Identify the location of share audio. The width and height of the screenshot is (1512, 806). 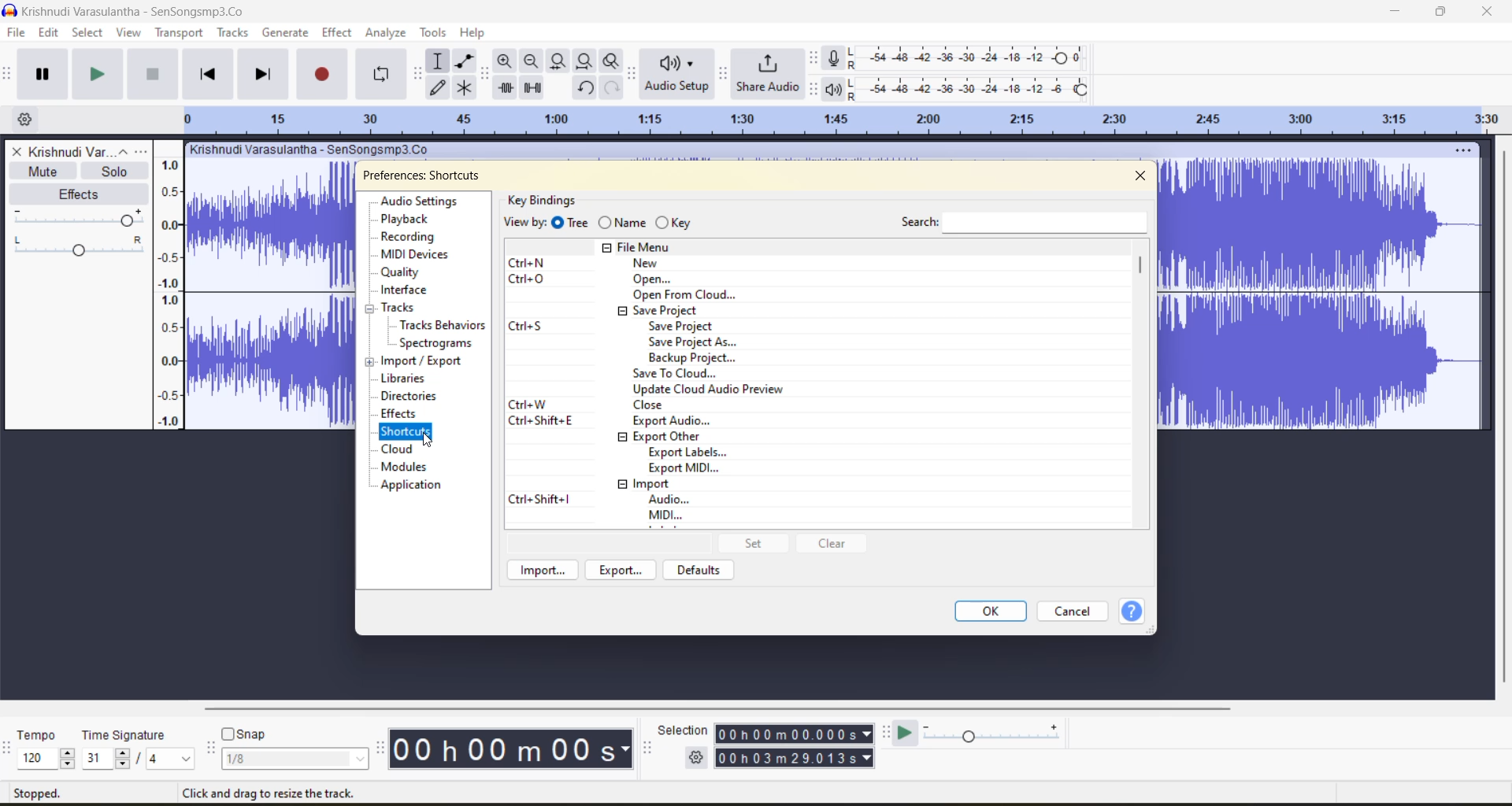
(766, 76).